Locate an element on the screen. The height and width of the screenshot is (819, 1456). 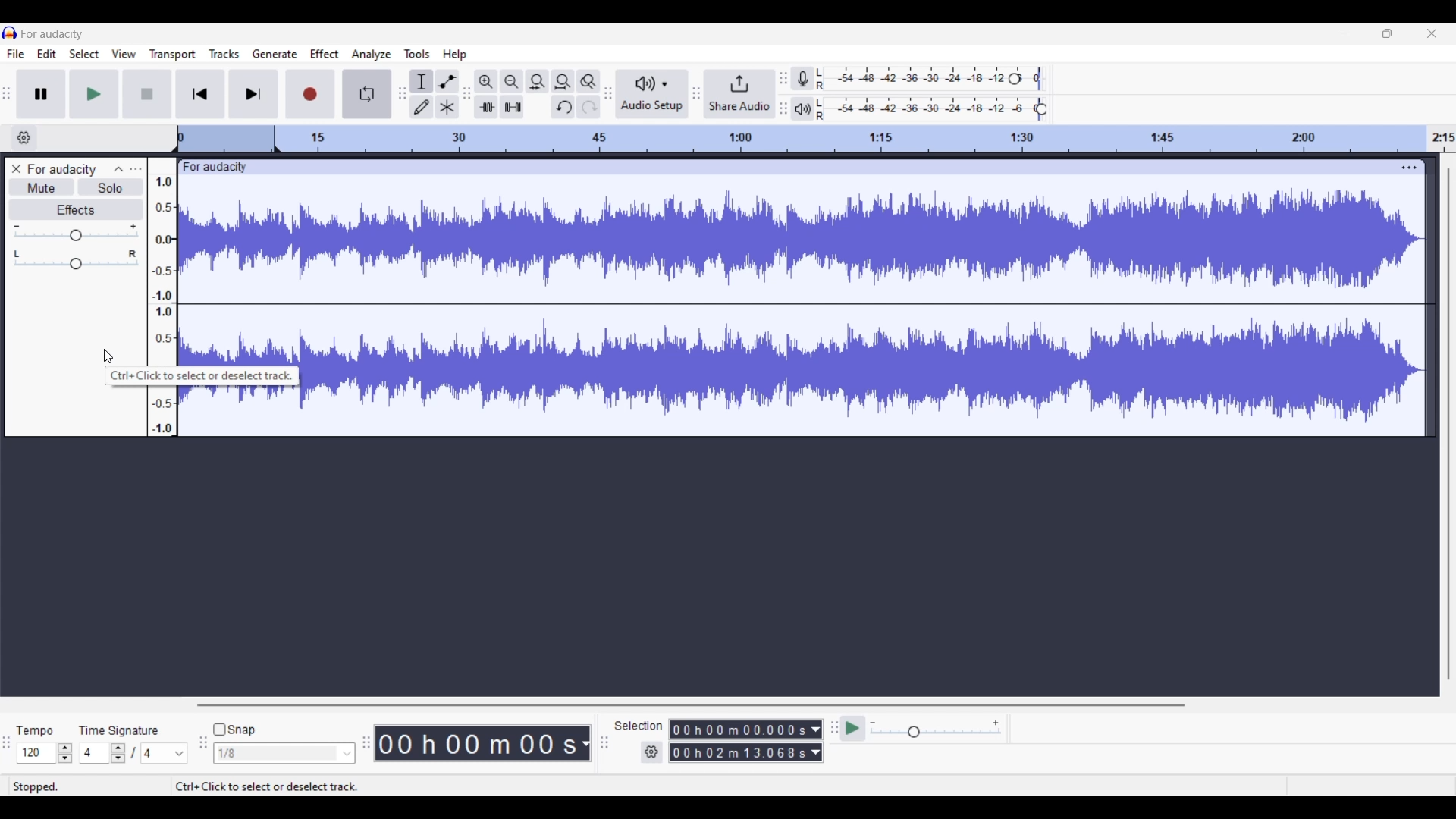
Description of current selection is located at coordinates (202, 376).